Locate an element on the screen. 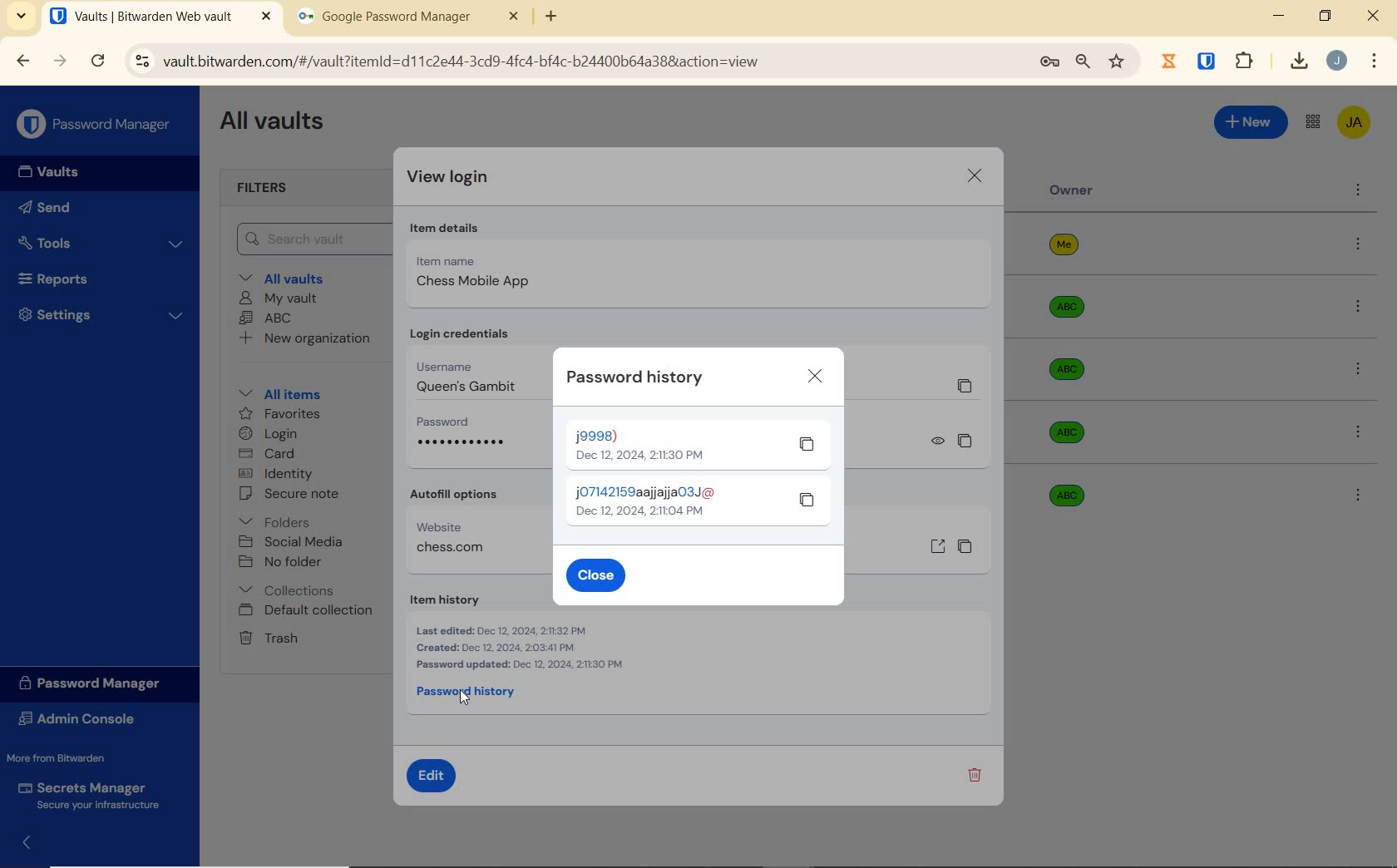 This screenshot has width=1397, height=868. Password Manager is located at coordinates (98, 684).